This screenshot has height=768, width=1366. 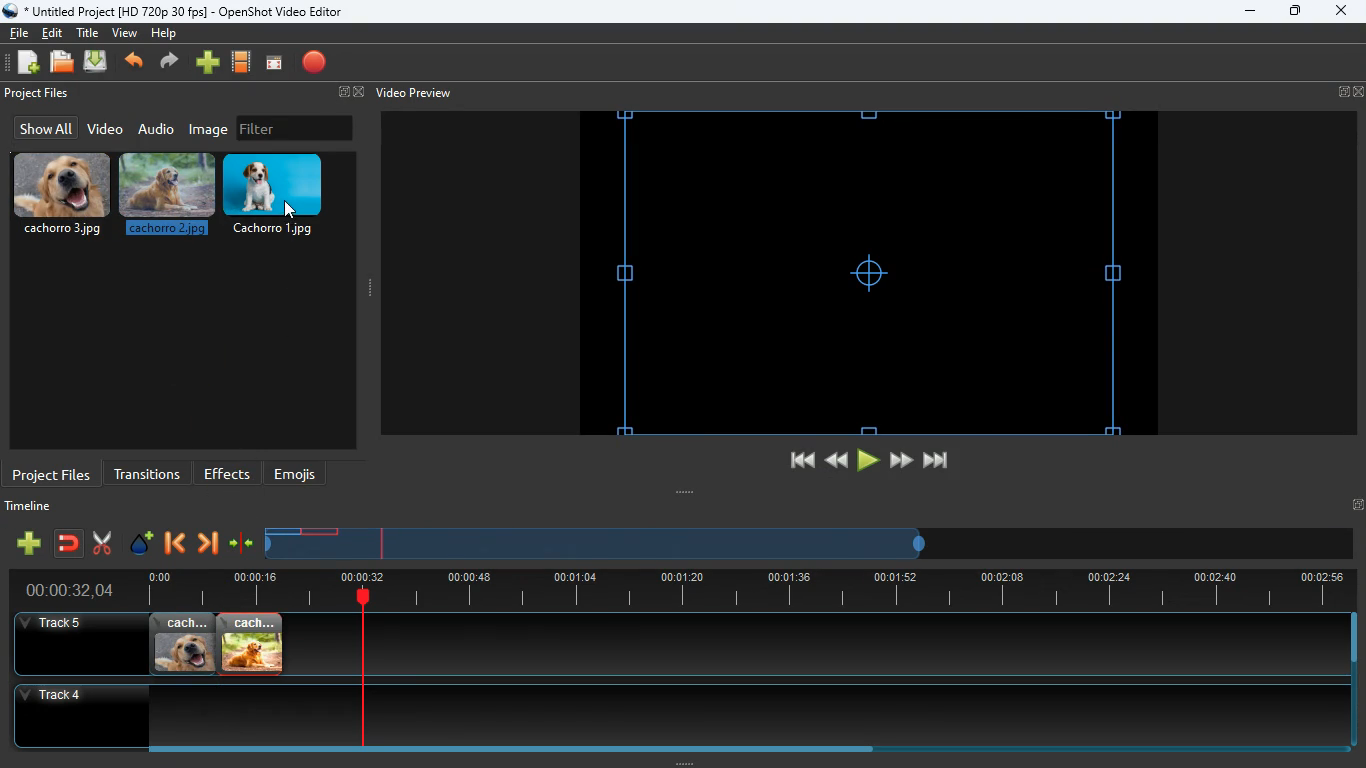 I want to click on minimize, so click(x=1250, y=12).